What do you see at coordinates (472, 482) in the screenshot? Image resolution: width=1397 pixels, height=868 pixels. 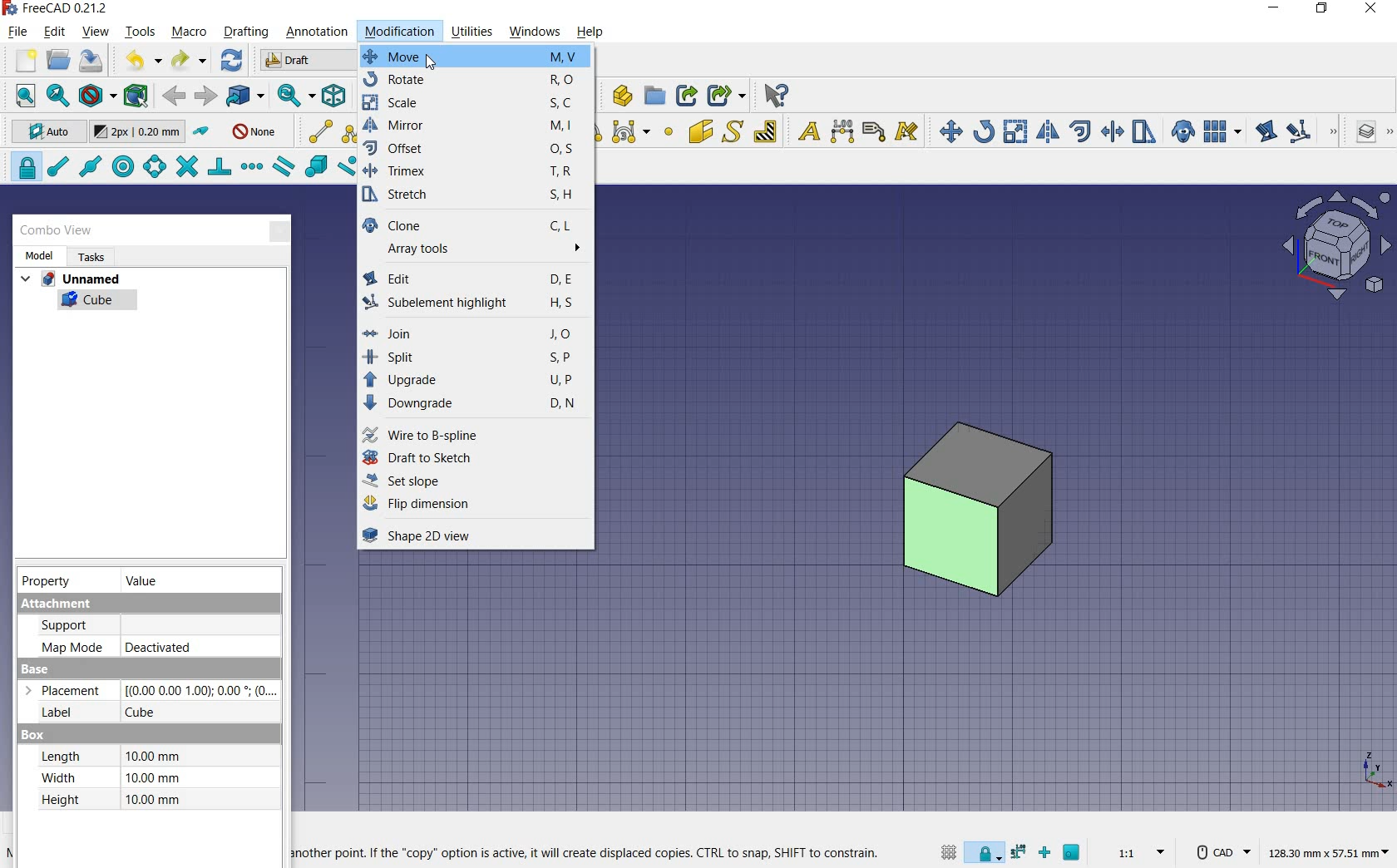 I see `set slope` at bounding box center [472, 482].